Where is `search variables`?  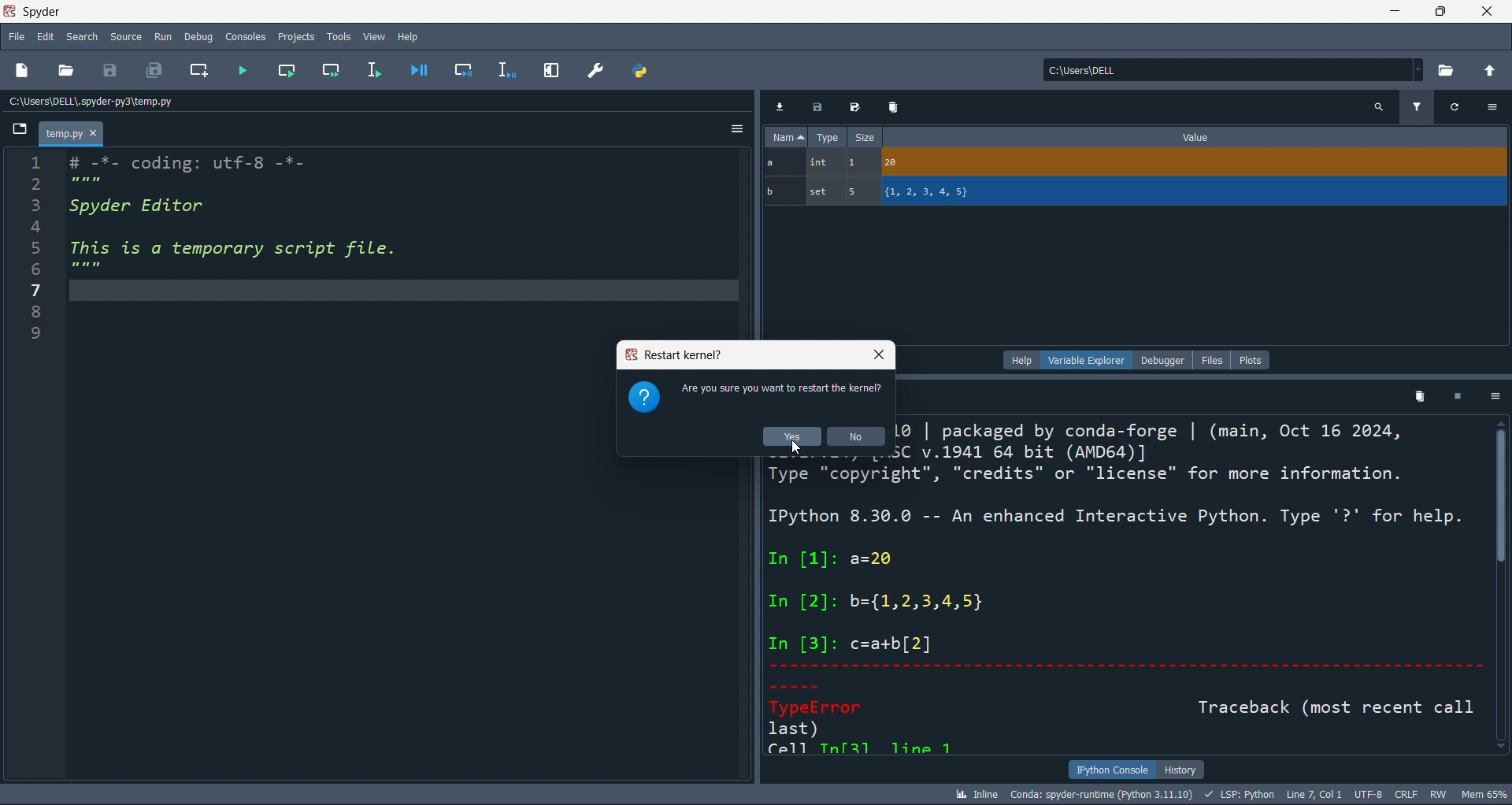 search variables is located at coordinates (1380, 108).